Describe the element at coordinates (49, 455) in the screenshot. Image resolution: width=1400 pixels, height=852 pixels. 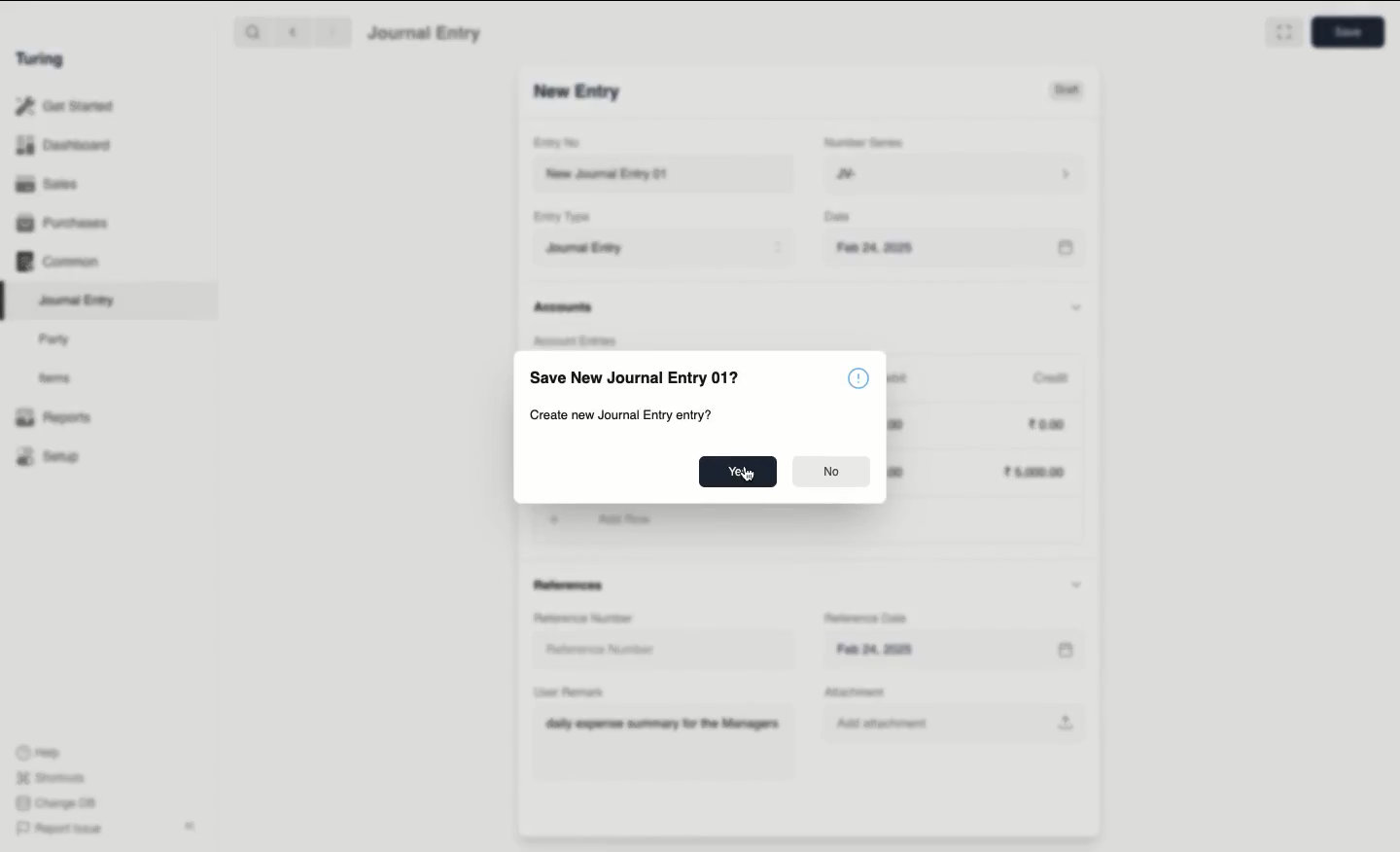
I see `Setup` at that location.